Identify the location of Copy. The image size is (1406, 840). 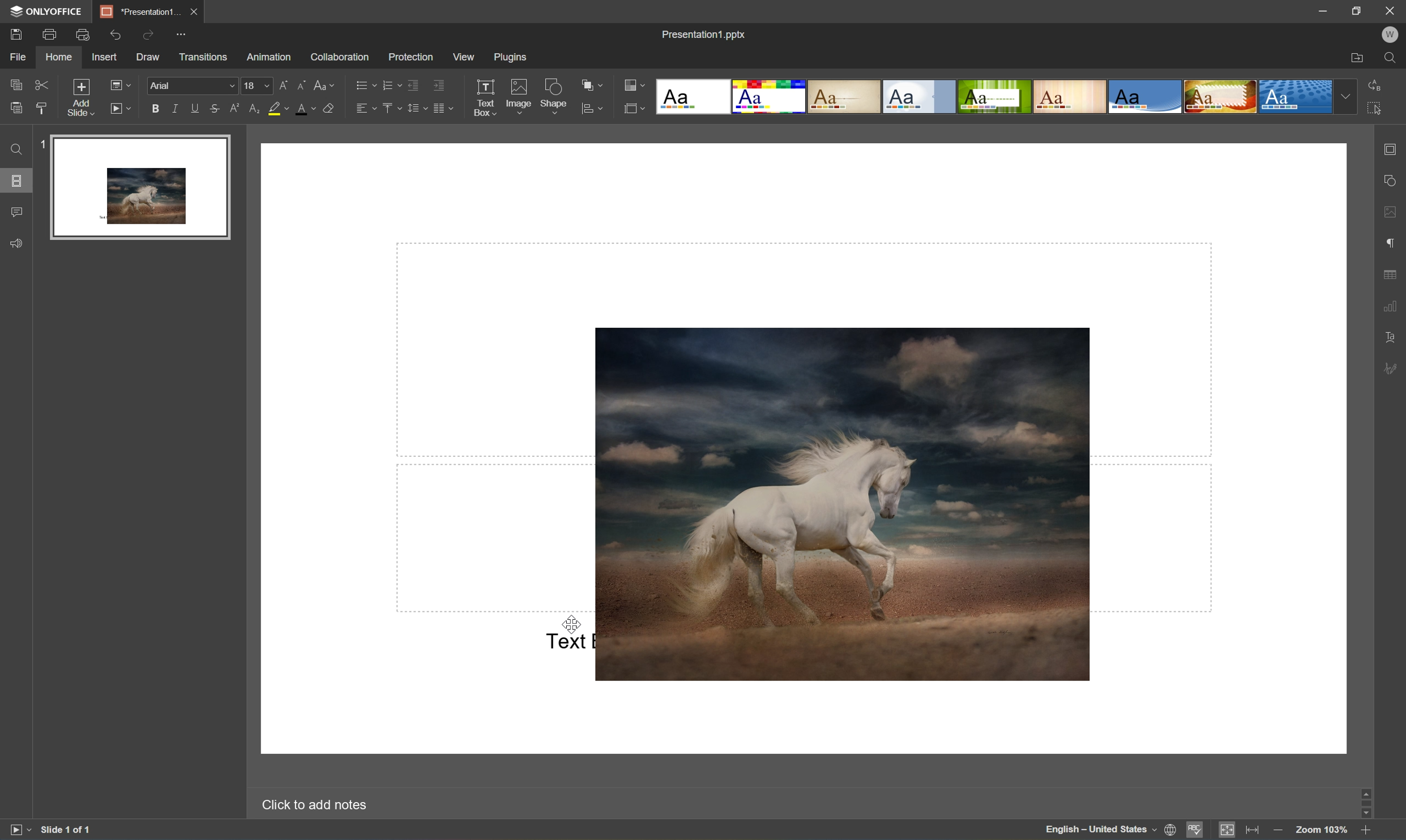
(17, 82).